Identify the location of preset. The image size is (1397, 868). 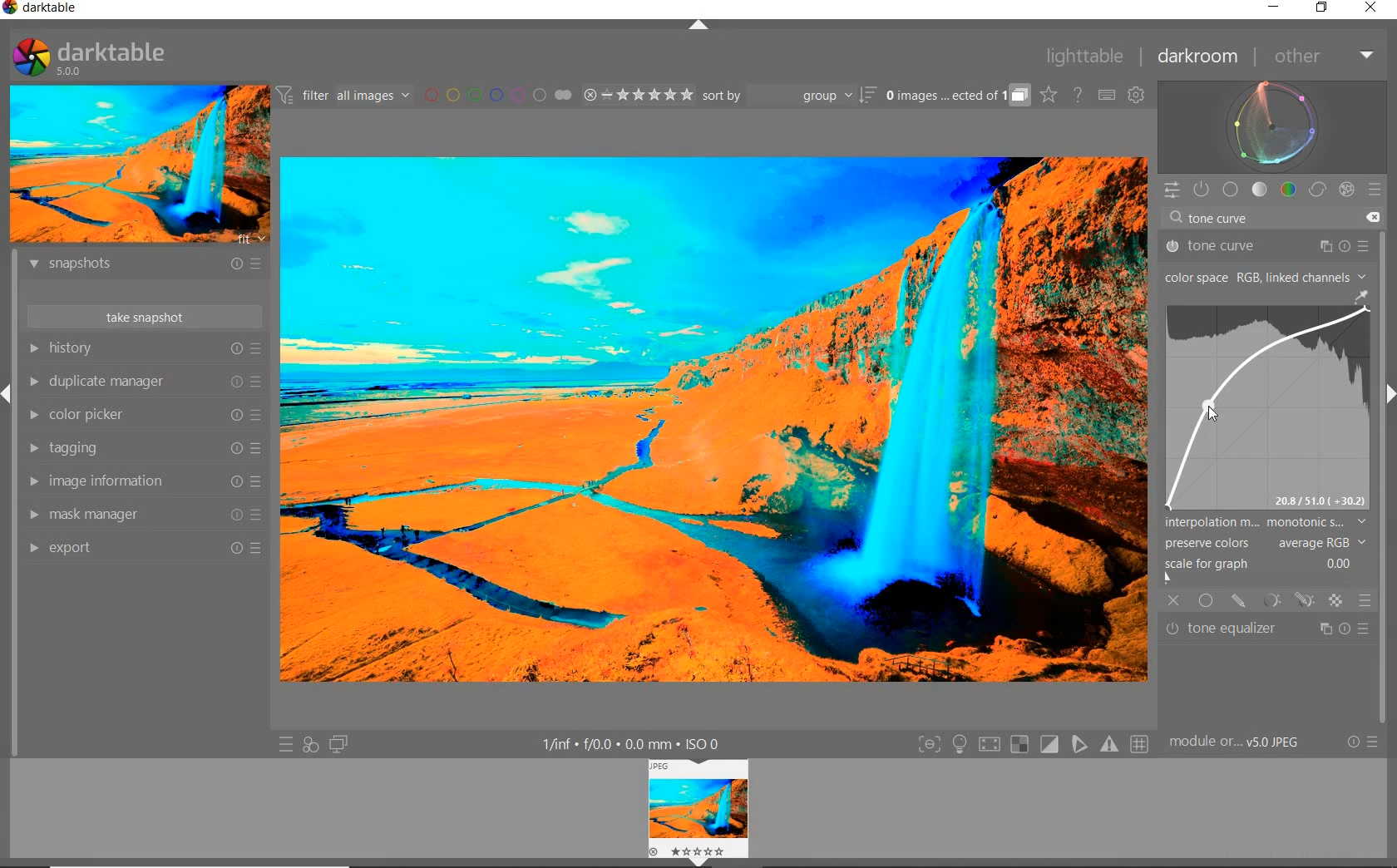
(1376, 187).